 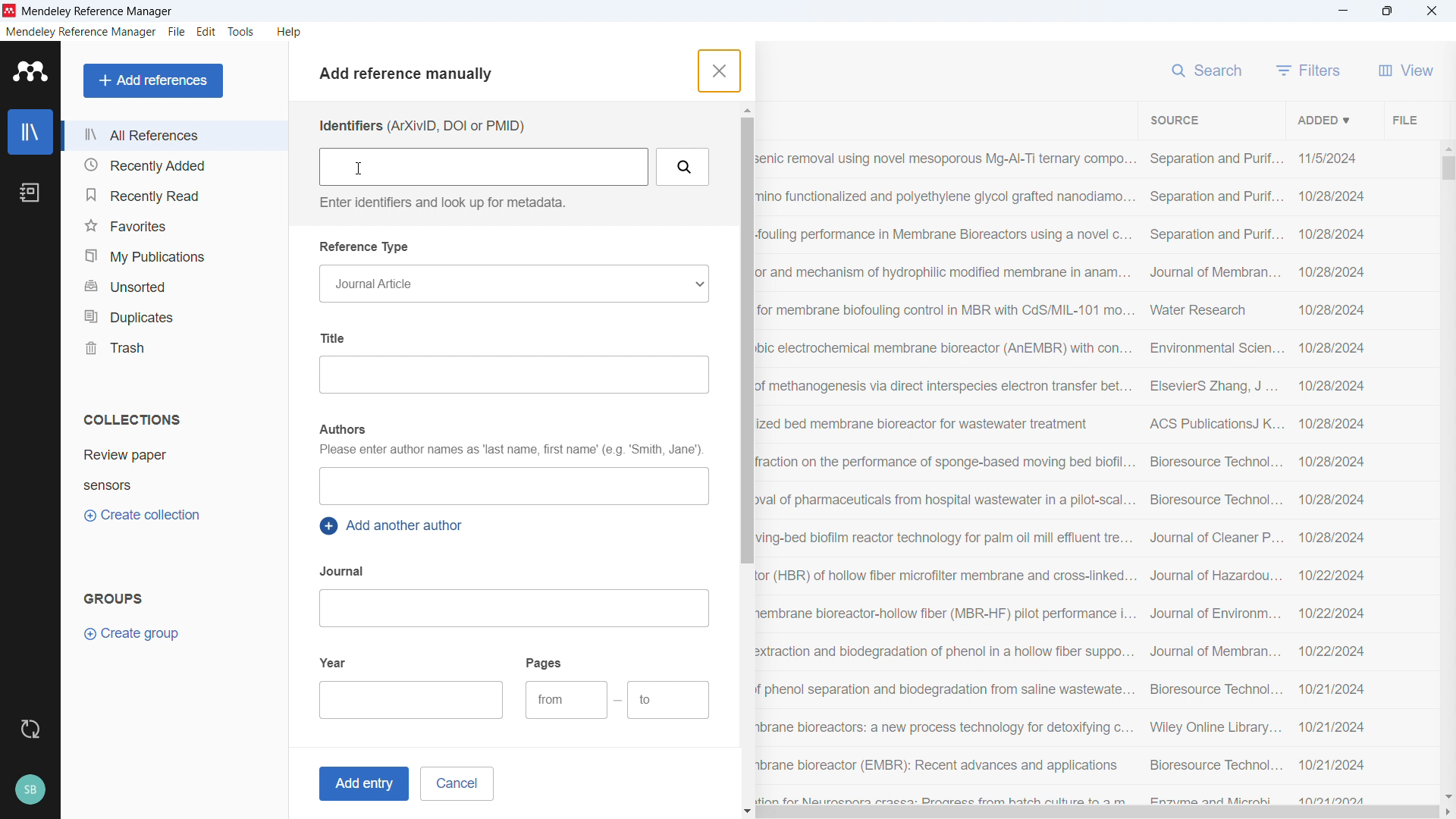 I want to click on Identifiers, so click(x=421, y=126).